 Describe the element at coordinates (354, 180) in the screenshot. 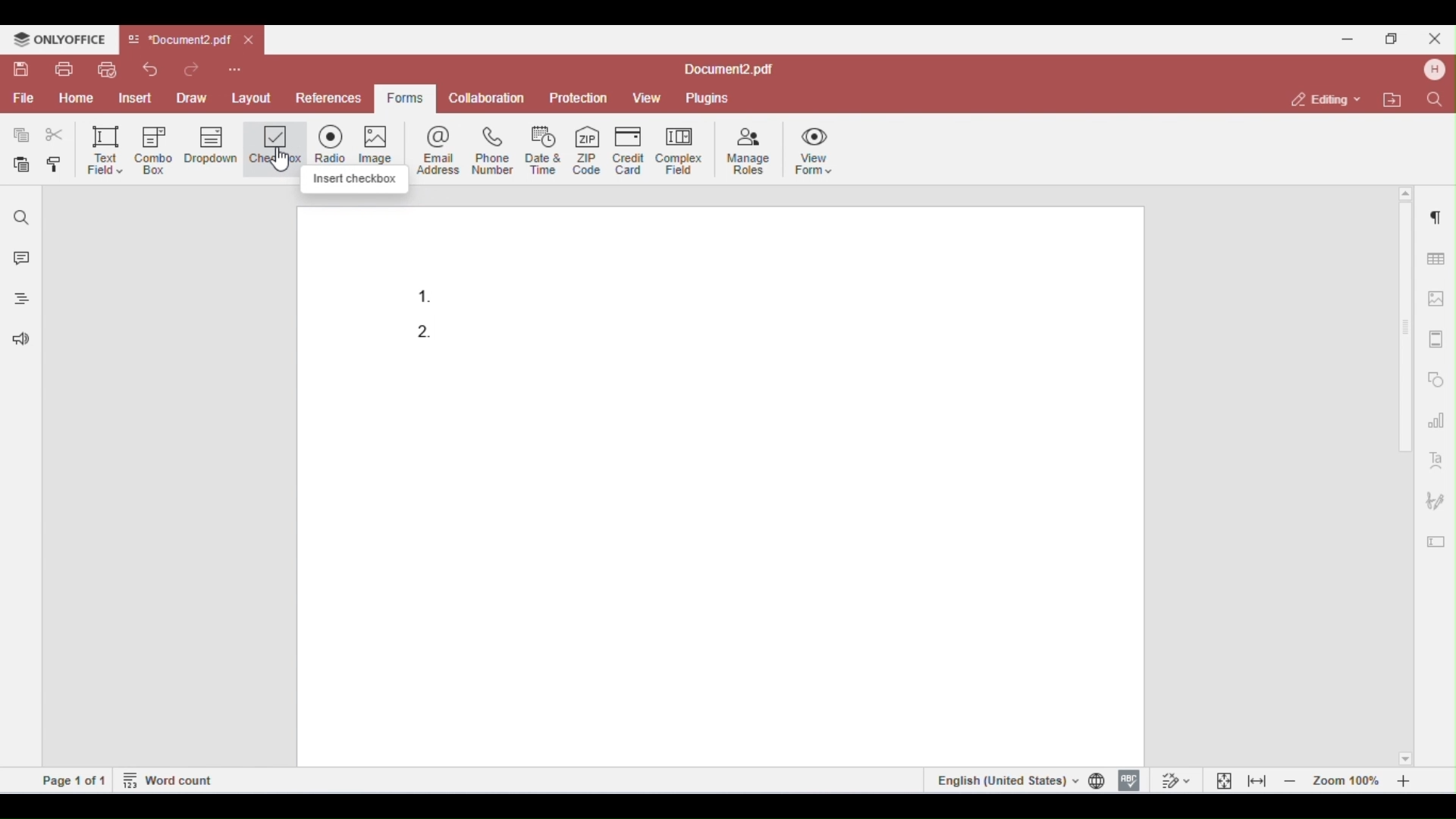

I see `insert checkbox` at that location.